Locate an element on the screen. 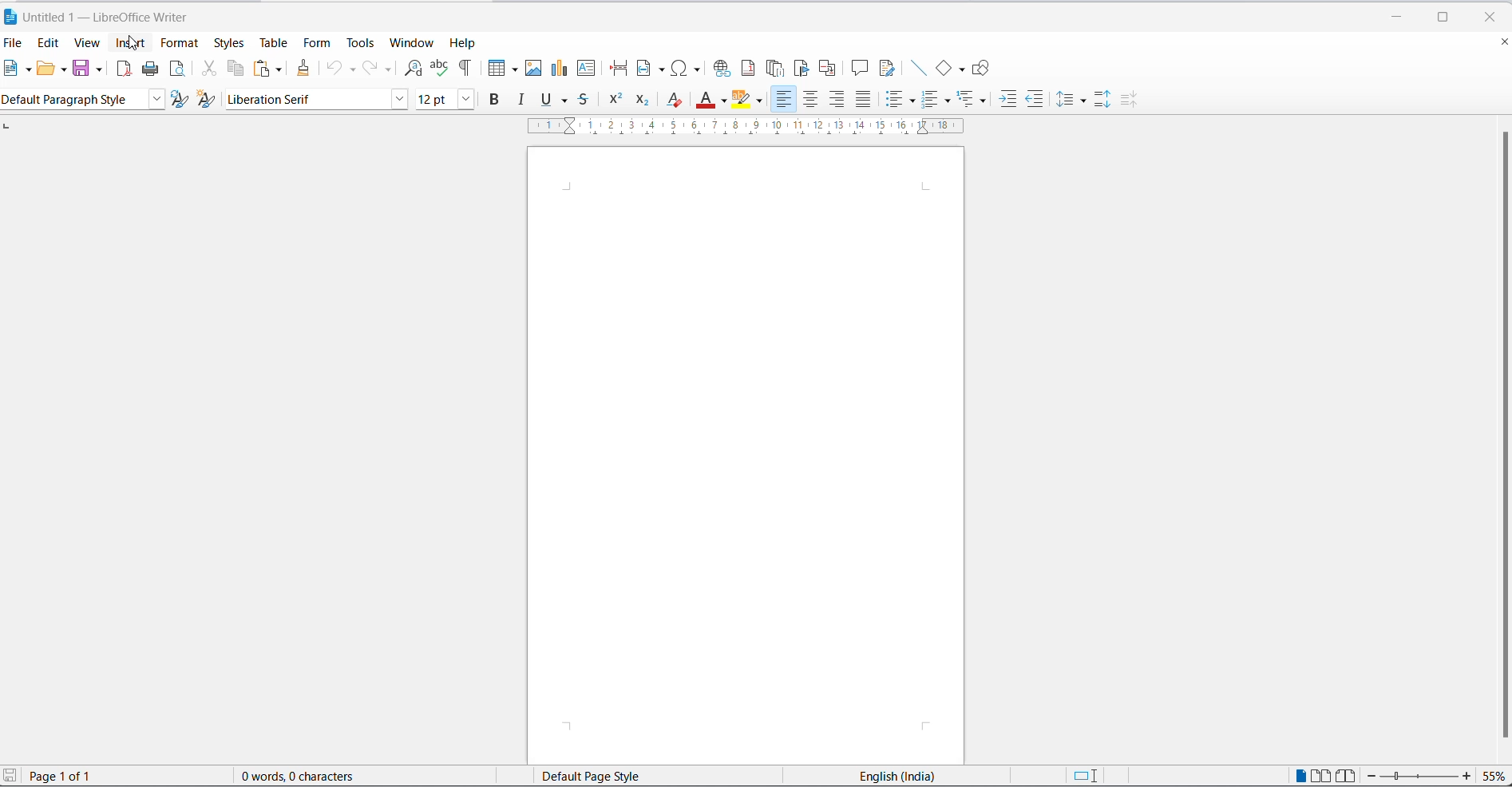 The height and width of the screenshot is (787, 1512). insert hyperlink is located at coordinates (722, 68).